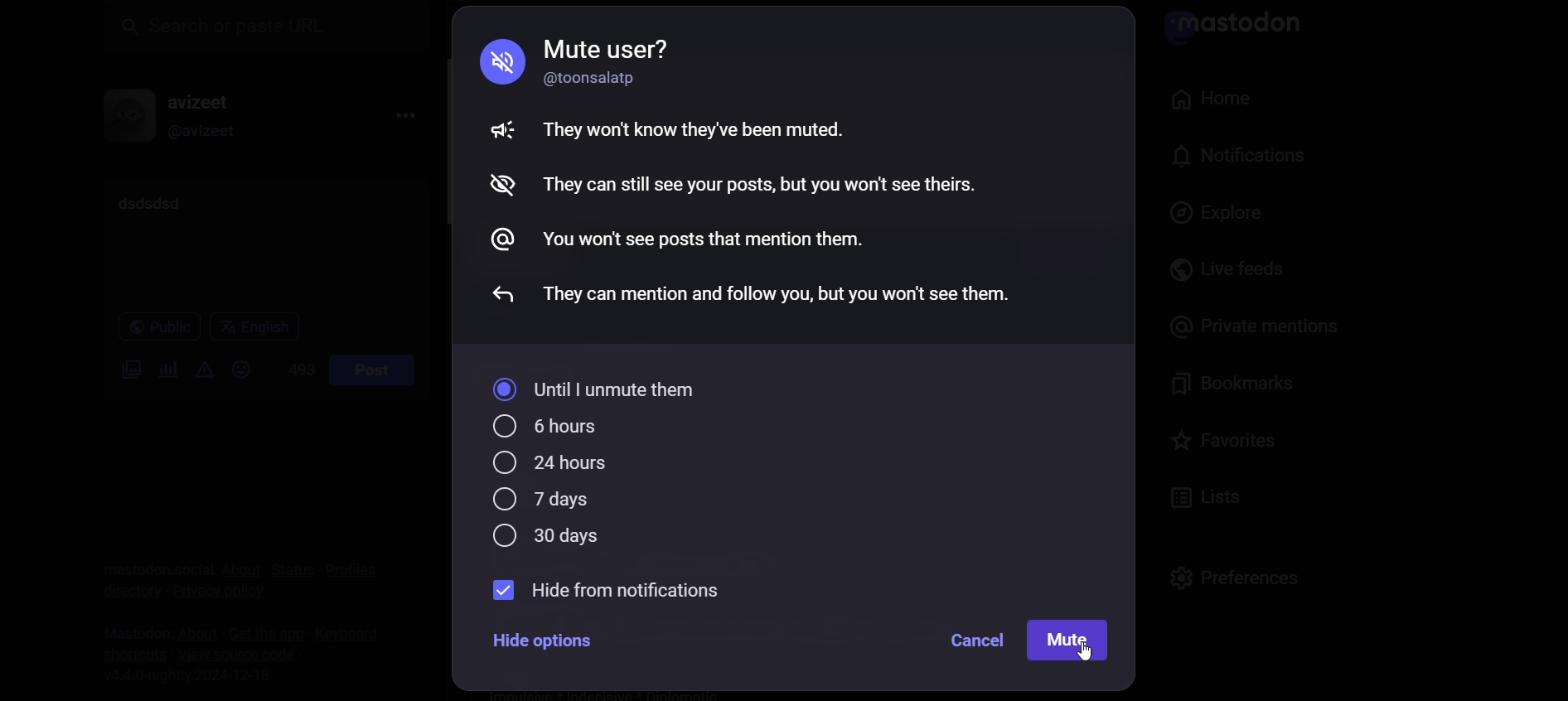  Describe the element at coordinates (705, 239) in the screenshot. I see `` at that location.